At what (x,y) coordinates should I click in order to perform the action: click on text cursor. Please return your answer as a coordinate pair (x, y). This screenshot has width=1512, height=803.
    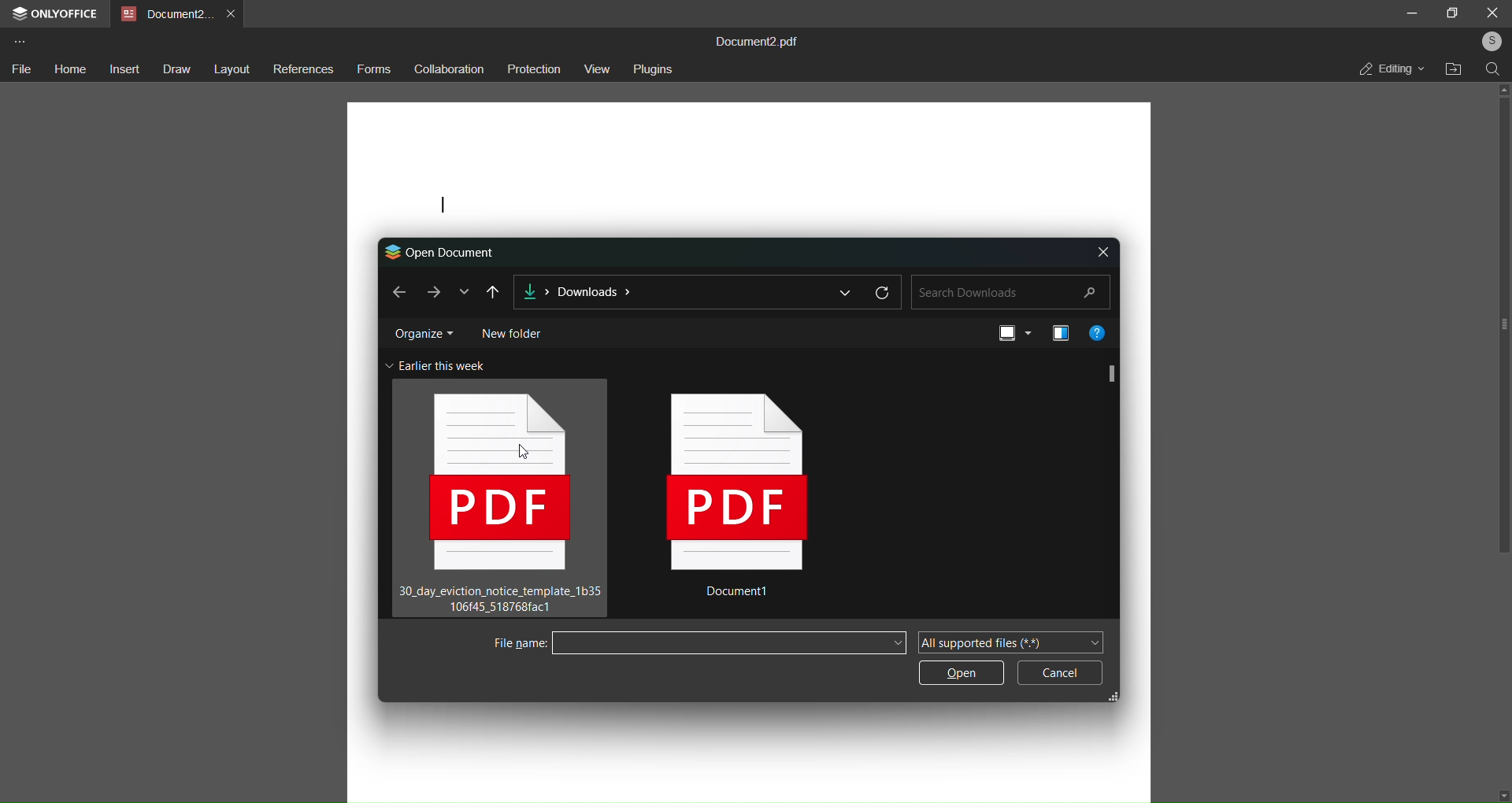
    Looking at the image, I should click on (443, 206).